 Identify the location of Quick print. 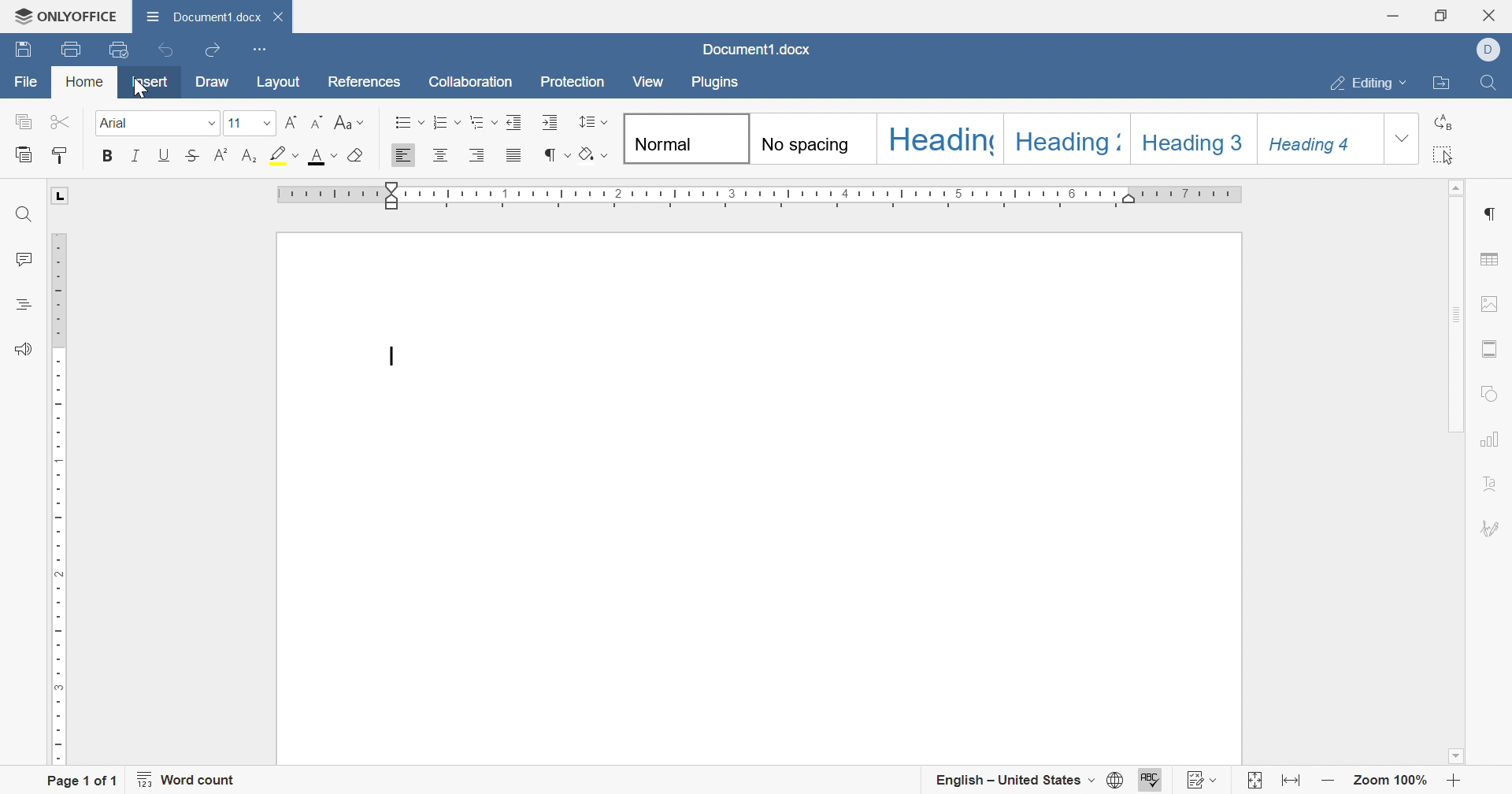
(117, 50).